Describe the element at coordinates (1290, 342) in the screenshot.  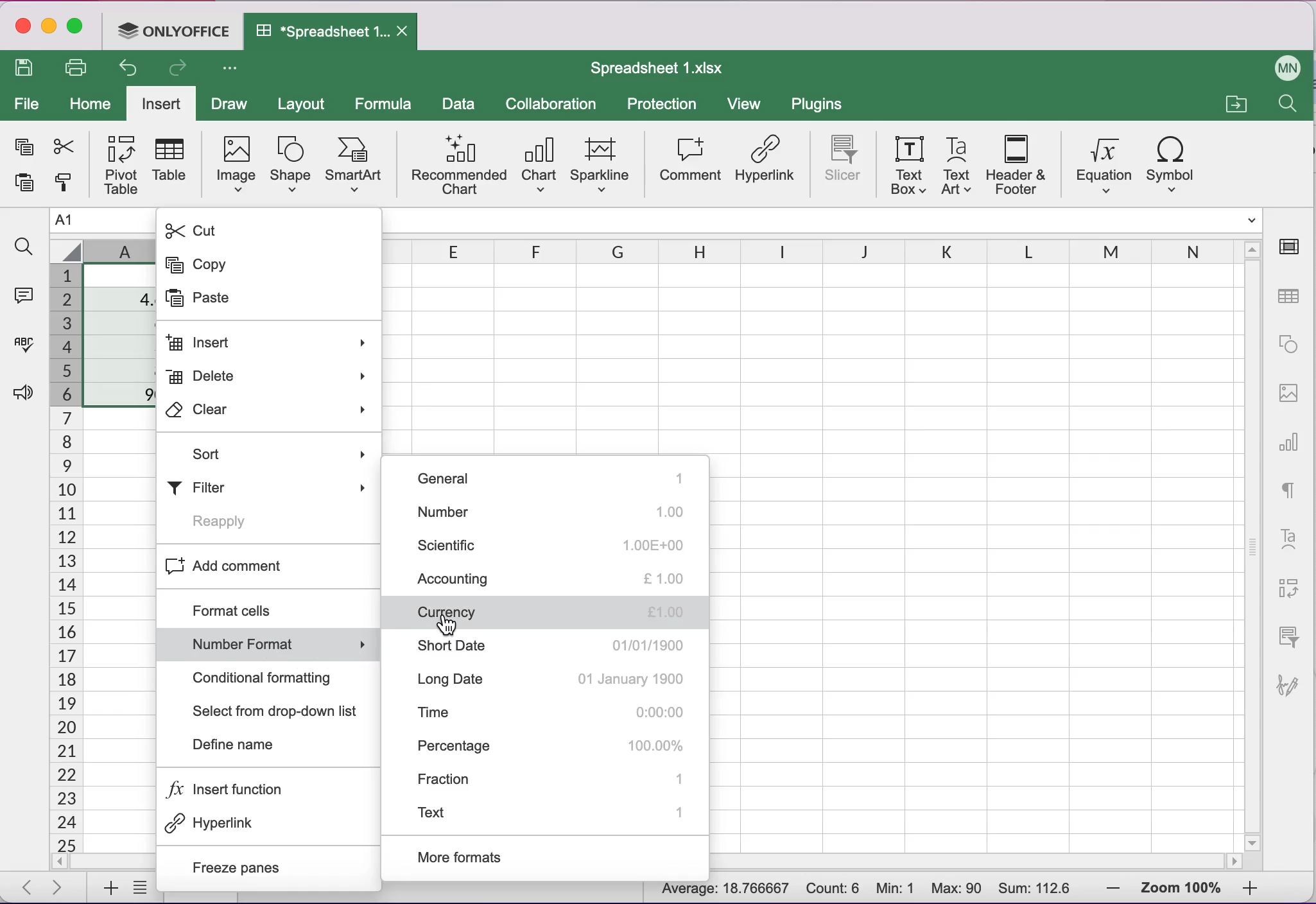
I see `shape` at that location.